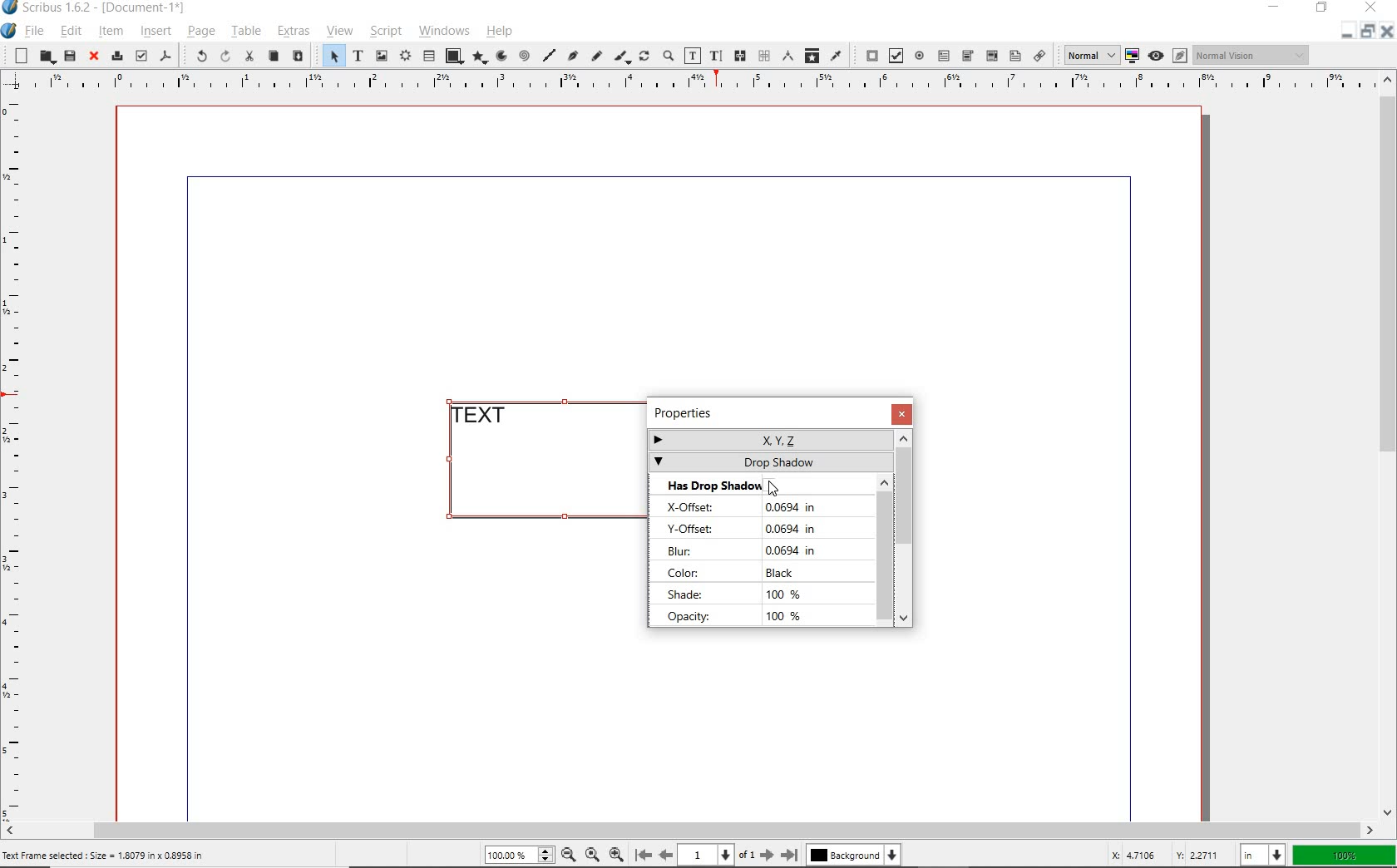 This screenshot has width=1397, height=868. Describe the element at coordinates (764, 57) in the screenshot. I see `unlink text frames` at that location.